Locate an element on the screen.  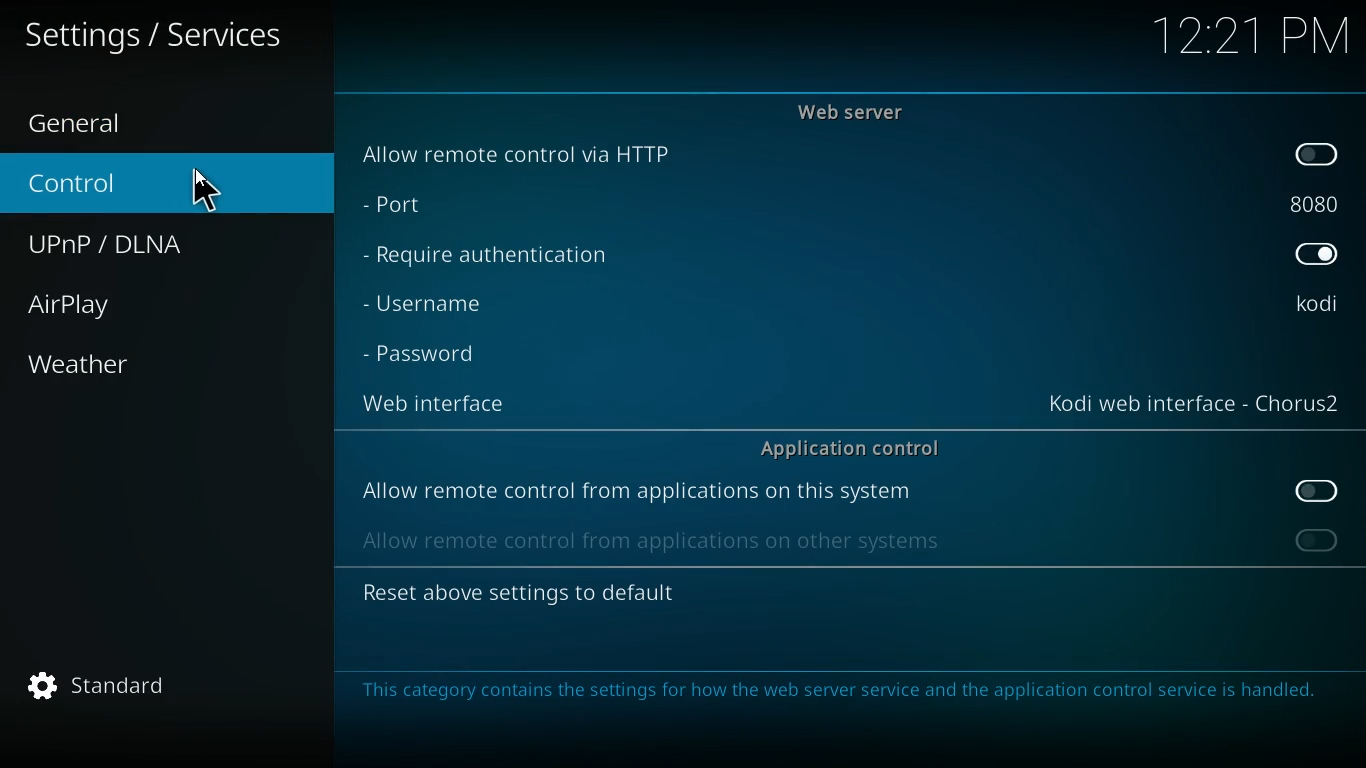
port is located at coordinates (1317, 206).